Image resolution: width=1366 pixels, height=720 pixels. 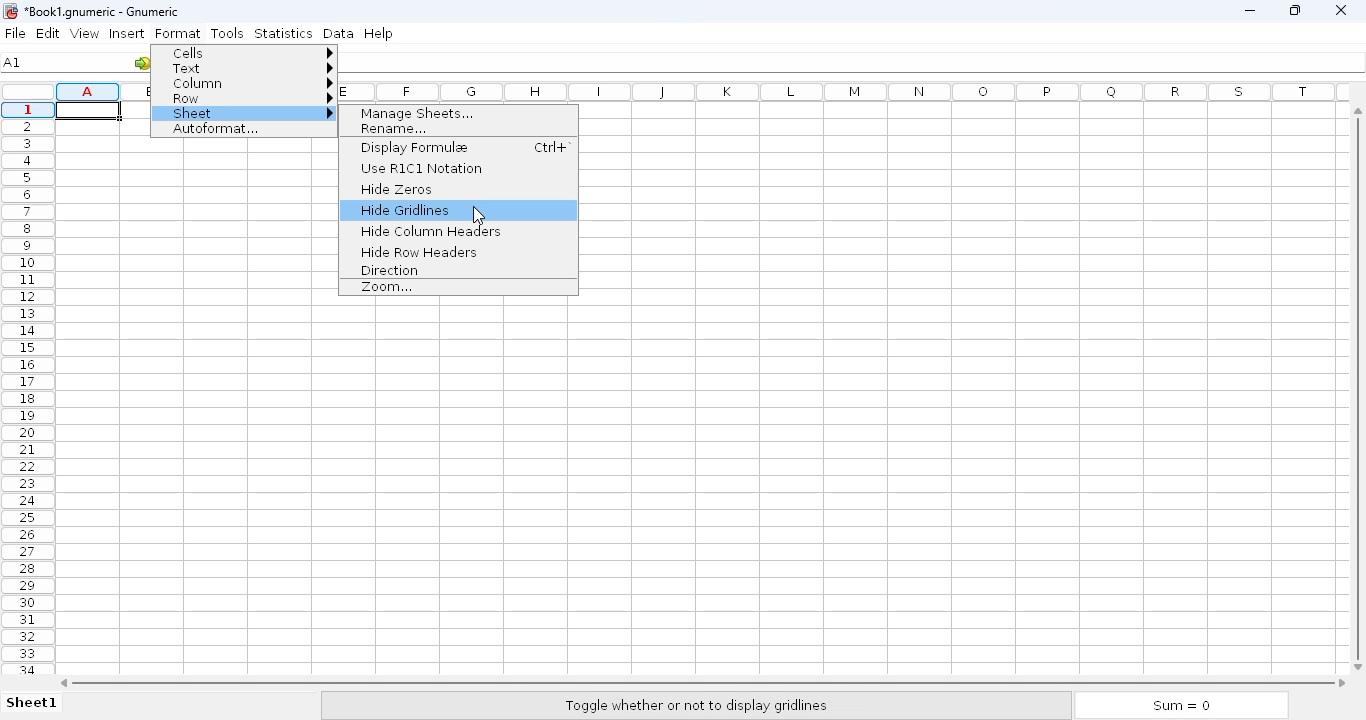 What do you see at coordinates (178, 33) in the screenshot?
I see `format` at bounding box center [178, 33].